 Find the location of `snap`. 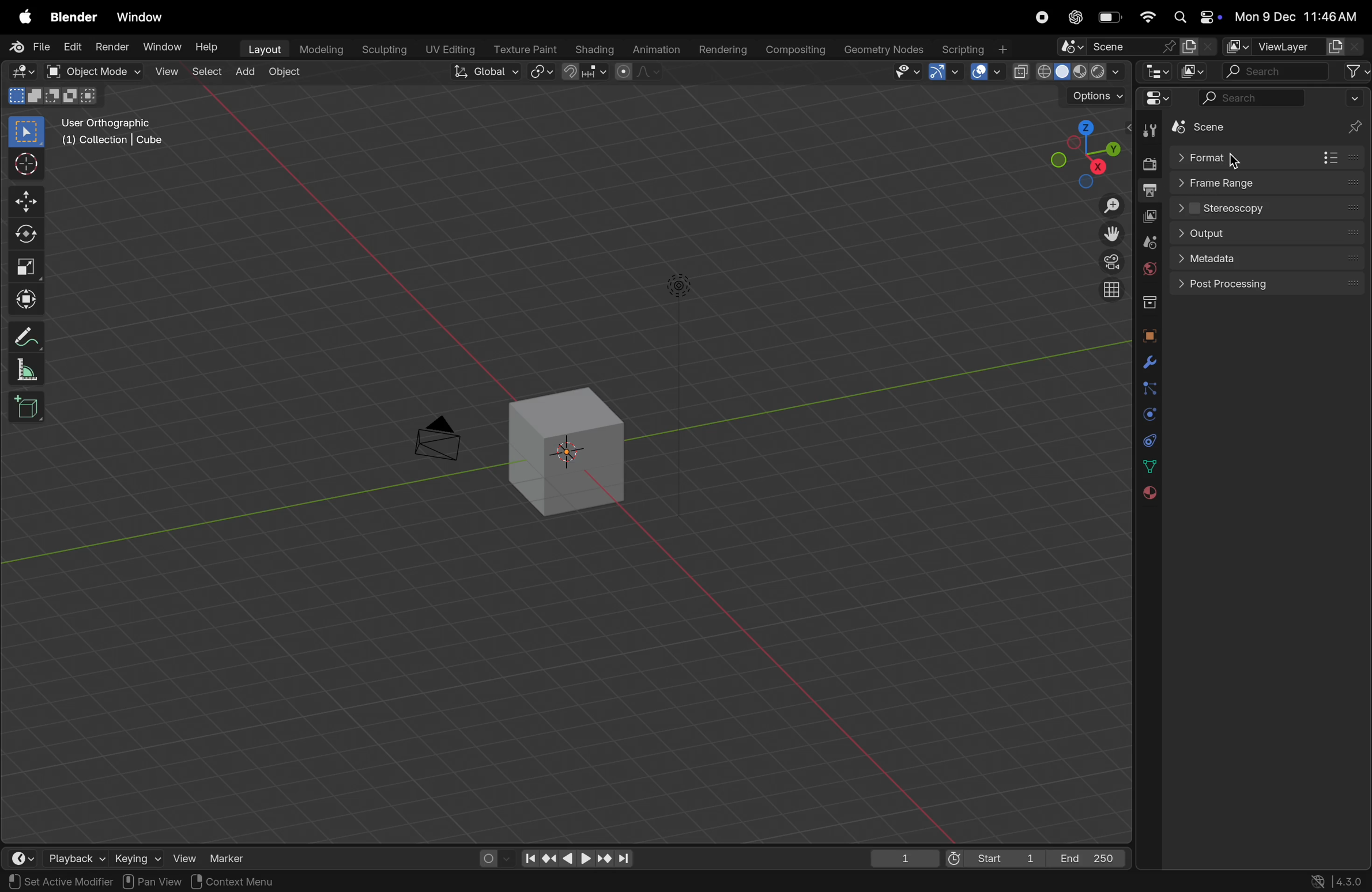

snap is located at coordinates (584, 73).